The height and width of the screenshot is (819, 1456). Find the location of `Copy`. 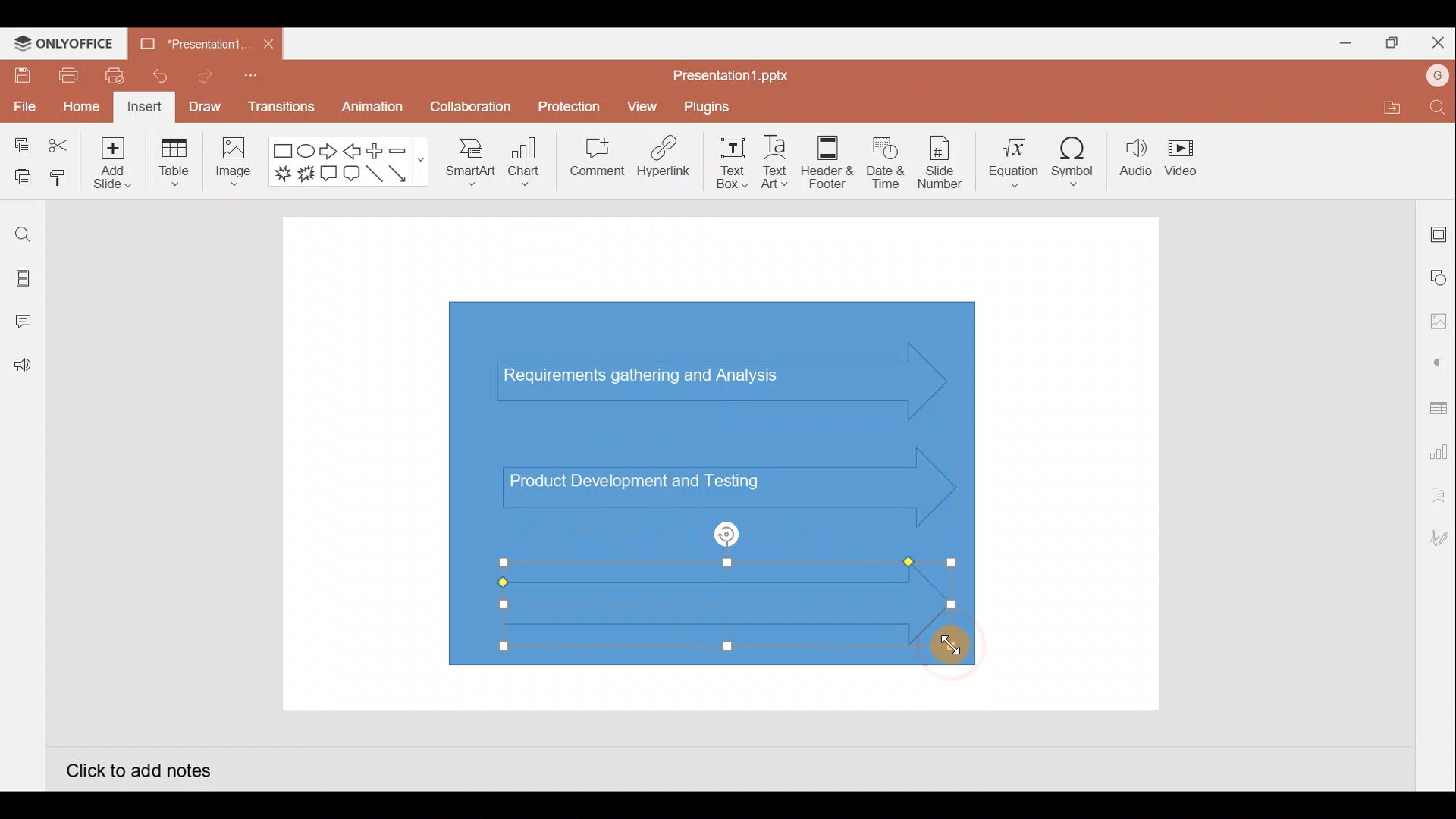

Copy is located at coordinates (20, 146).